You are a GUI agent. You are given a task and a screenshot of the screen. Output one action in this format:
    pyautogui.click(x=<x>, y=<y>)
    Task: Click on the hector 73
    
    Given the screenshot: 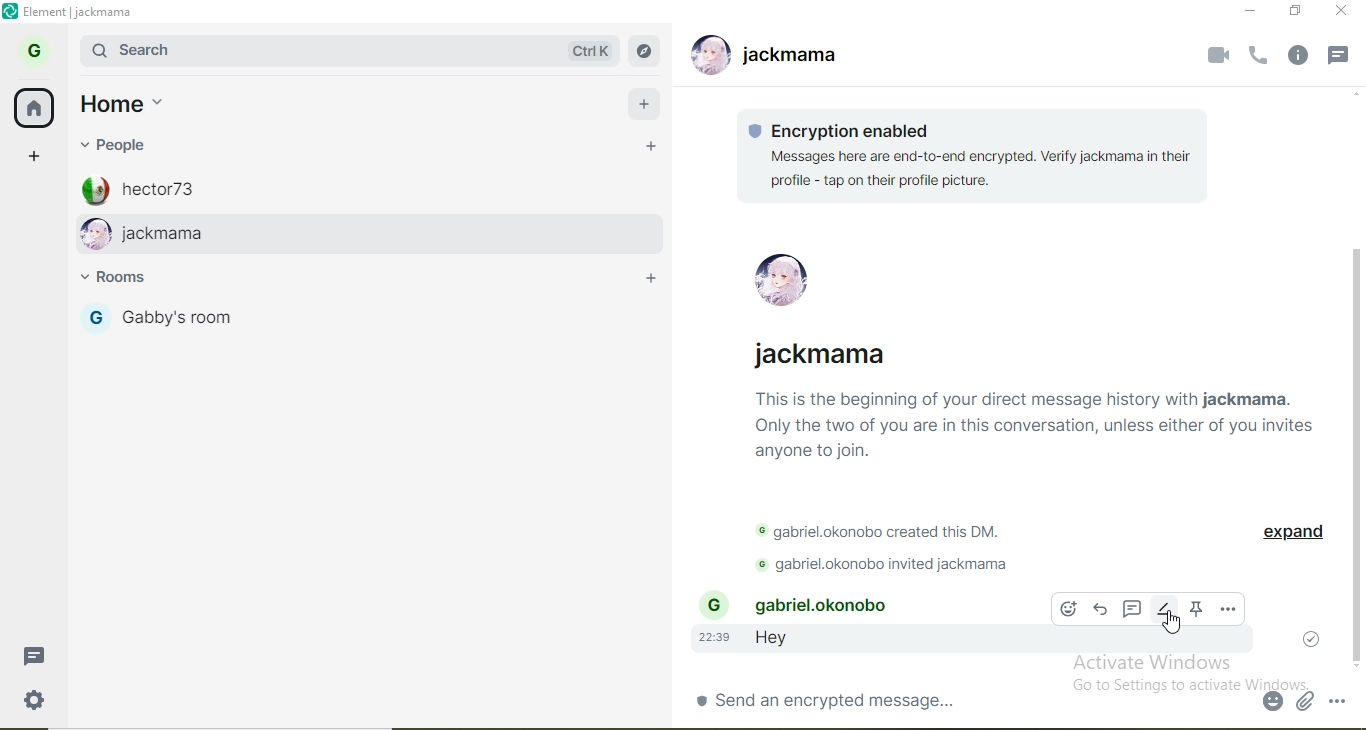 What is the action you would take?
    pyautogui.click(x=396, y=187)
    